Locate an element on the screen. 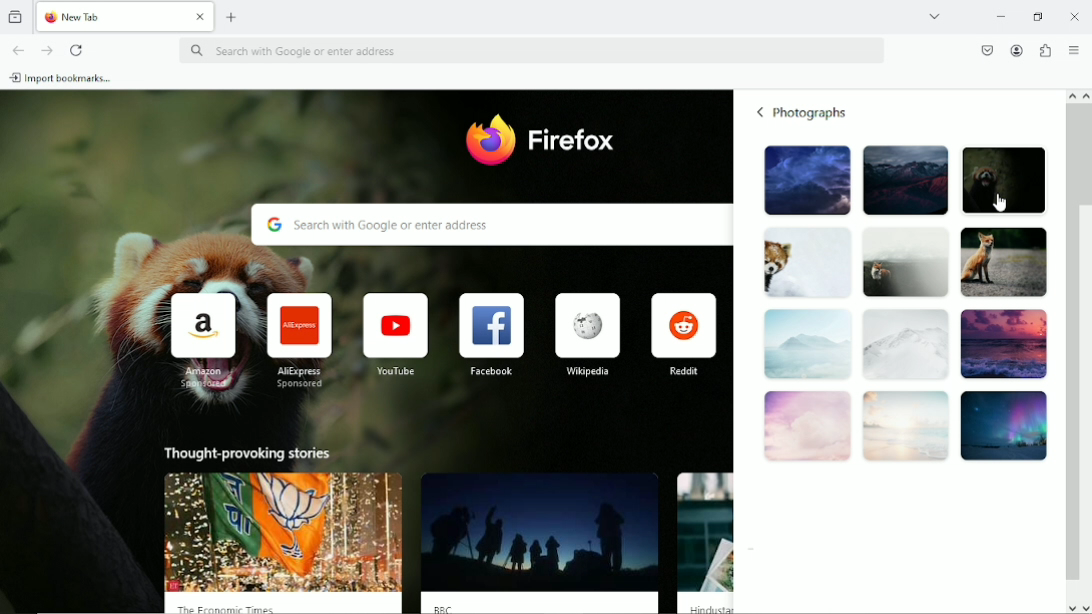 The height and width of the screenshot is (614, 1092). Firefox is located at coordinates (574, 141).